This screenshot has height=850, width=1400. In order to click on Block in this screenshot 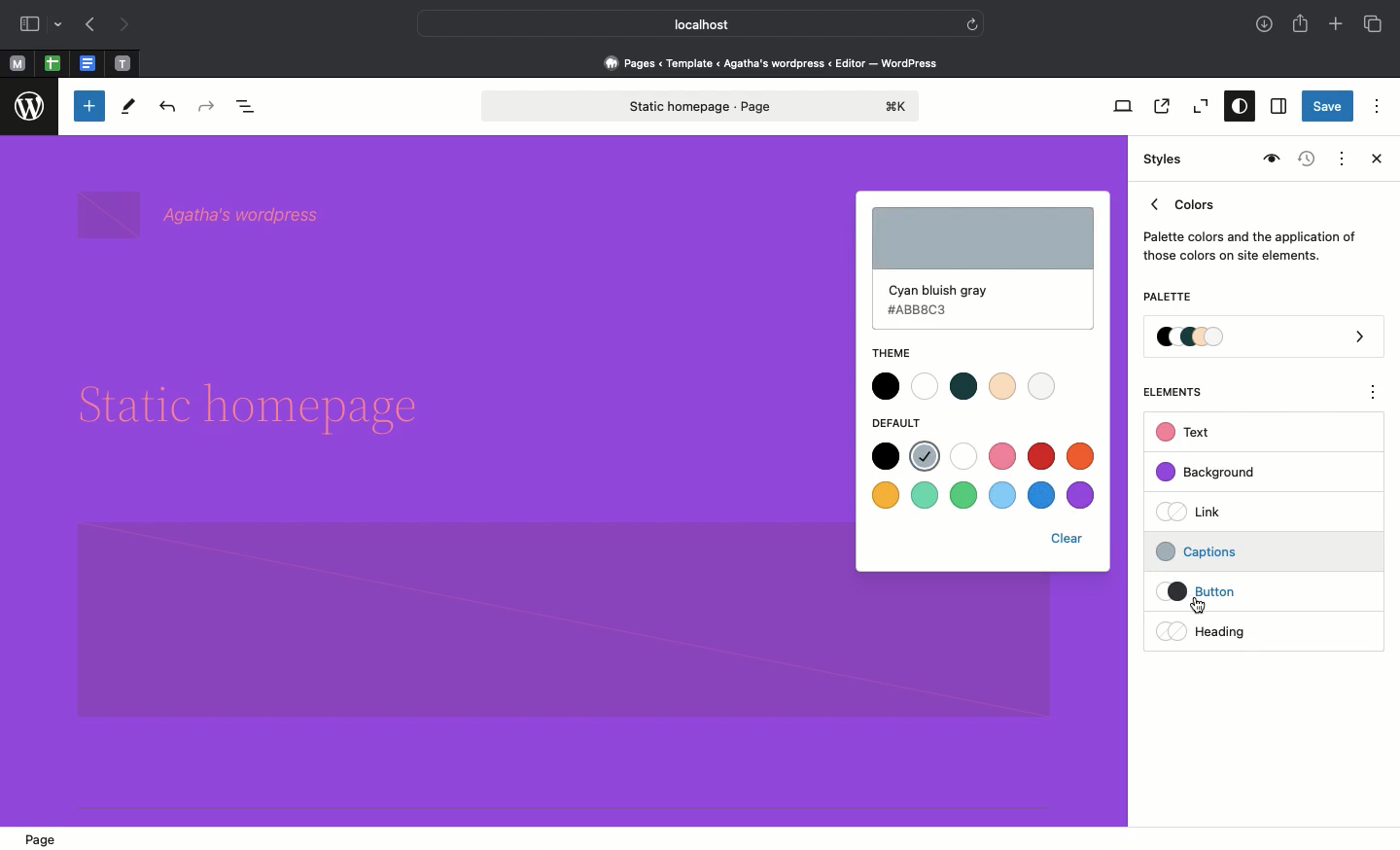, I will do `click(461, 621)`.